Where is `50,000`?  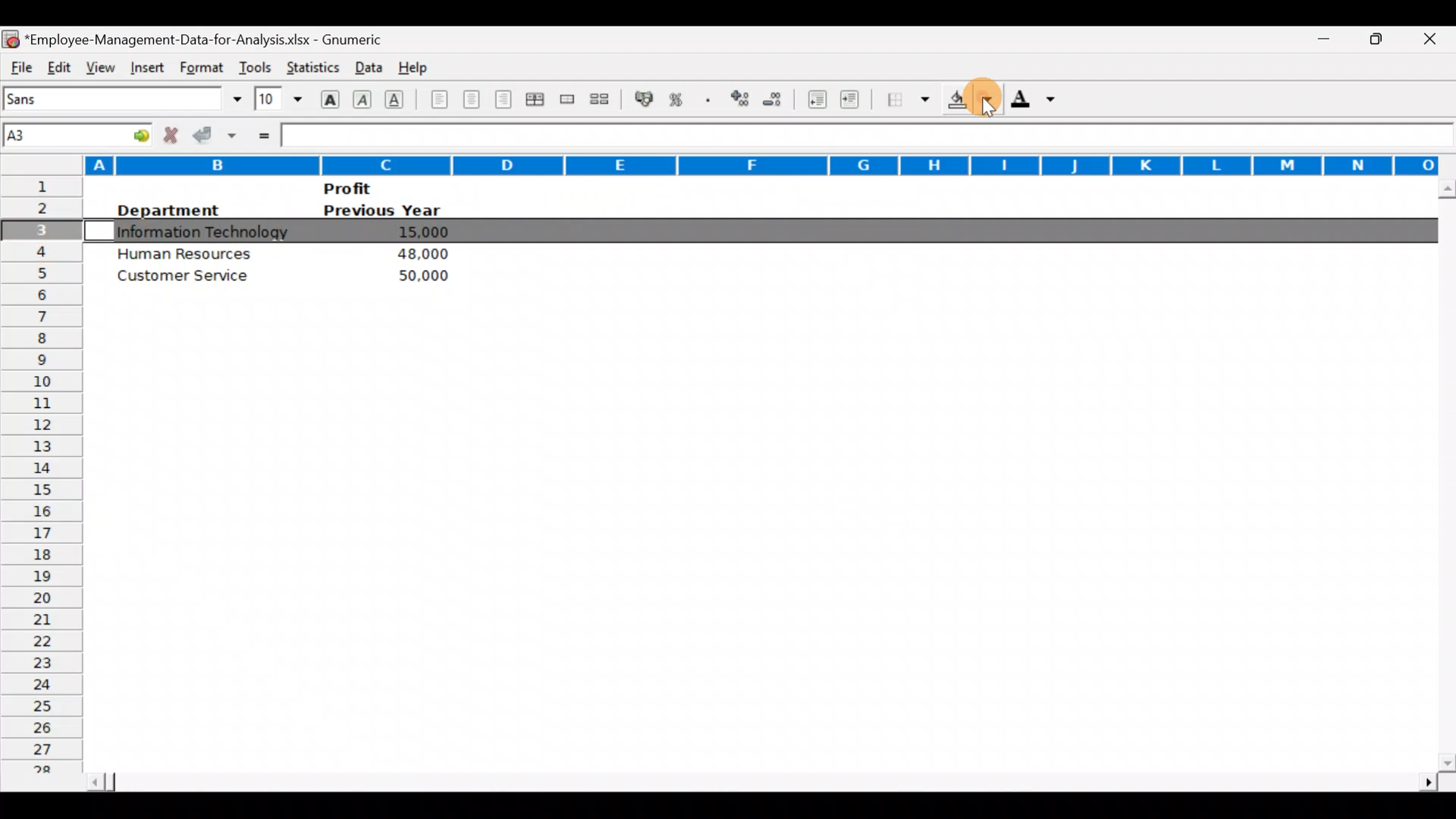 50,000 is located at coordinates (417, 275).